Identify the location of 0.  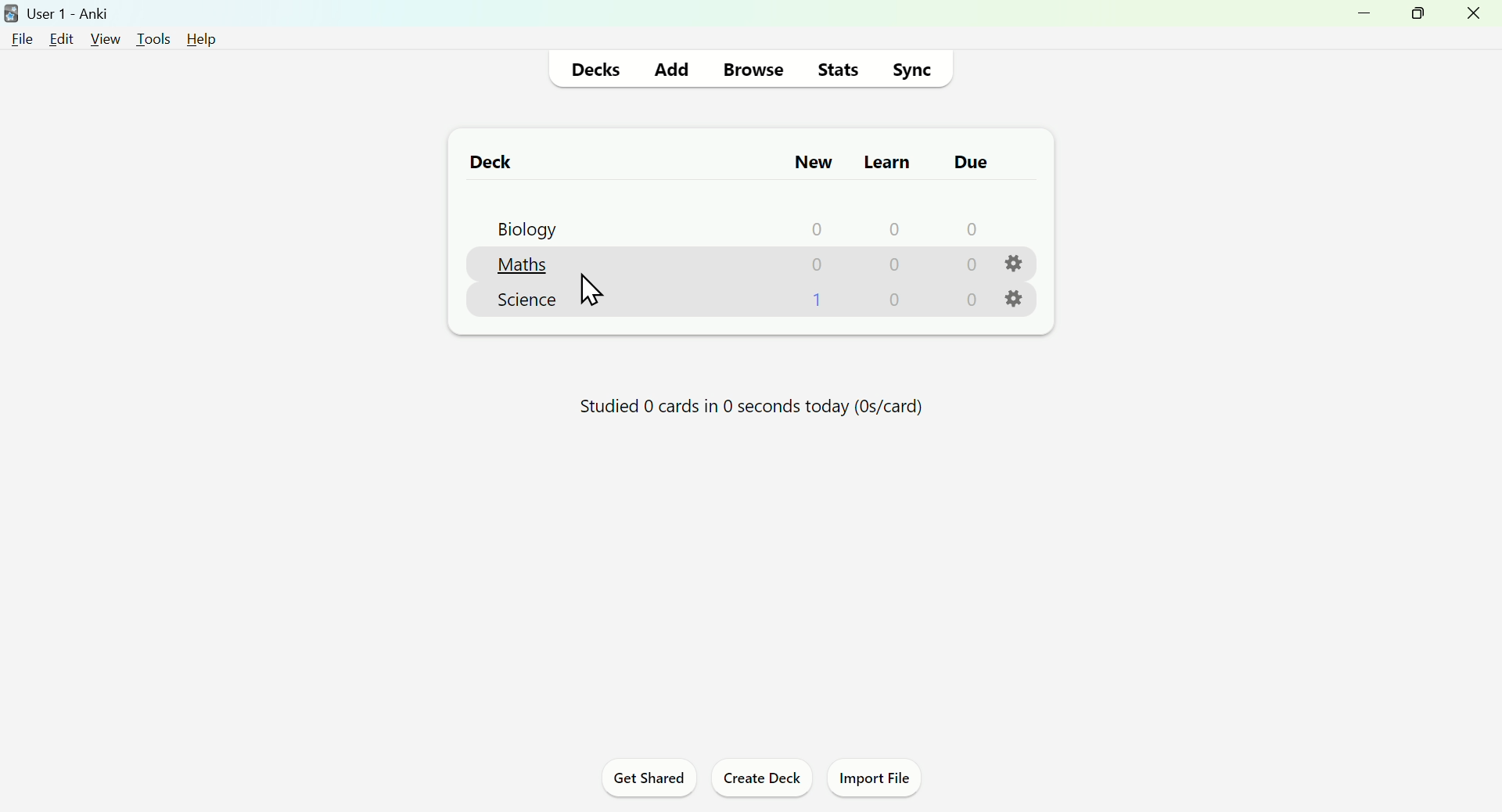
(817, 228).